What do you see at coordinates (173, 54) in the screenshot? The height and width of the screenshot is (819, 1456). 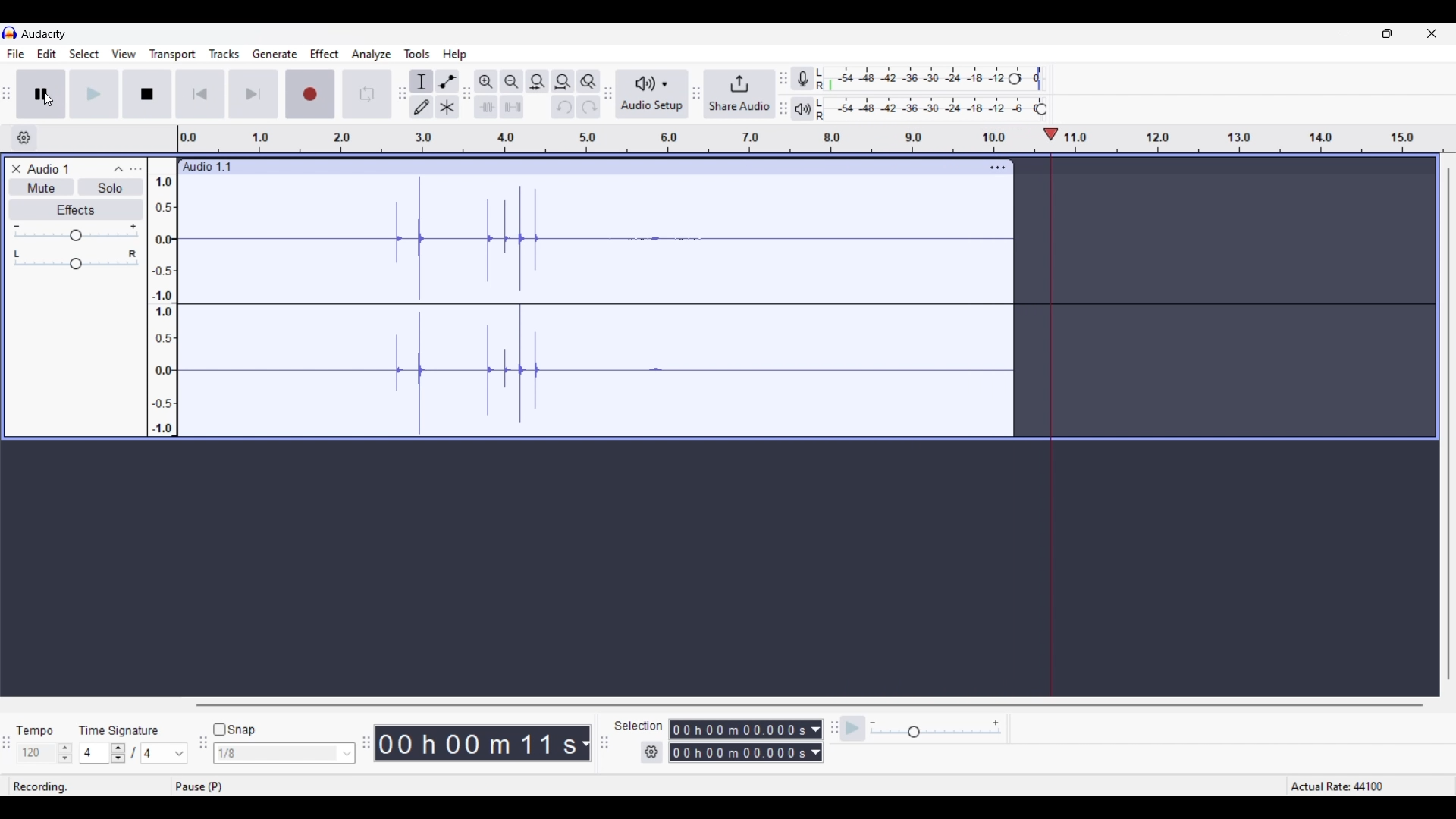 I see `Transport menu` at bounding box center [173, 54].